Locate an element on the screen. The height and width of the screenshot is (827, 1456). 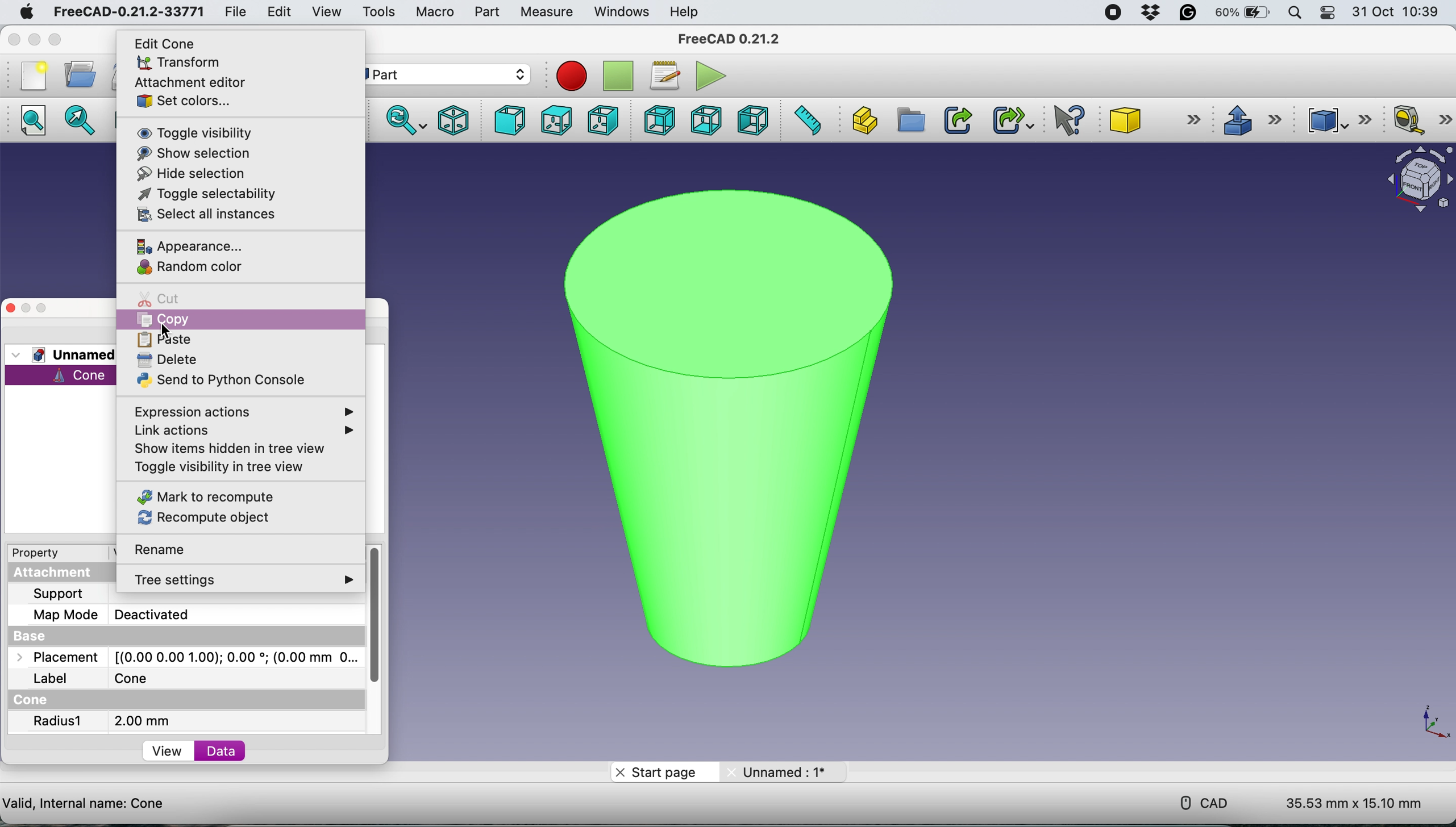
send to python console is located at coordinates (219, 381).